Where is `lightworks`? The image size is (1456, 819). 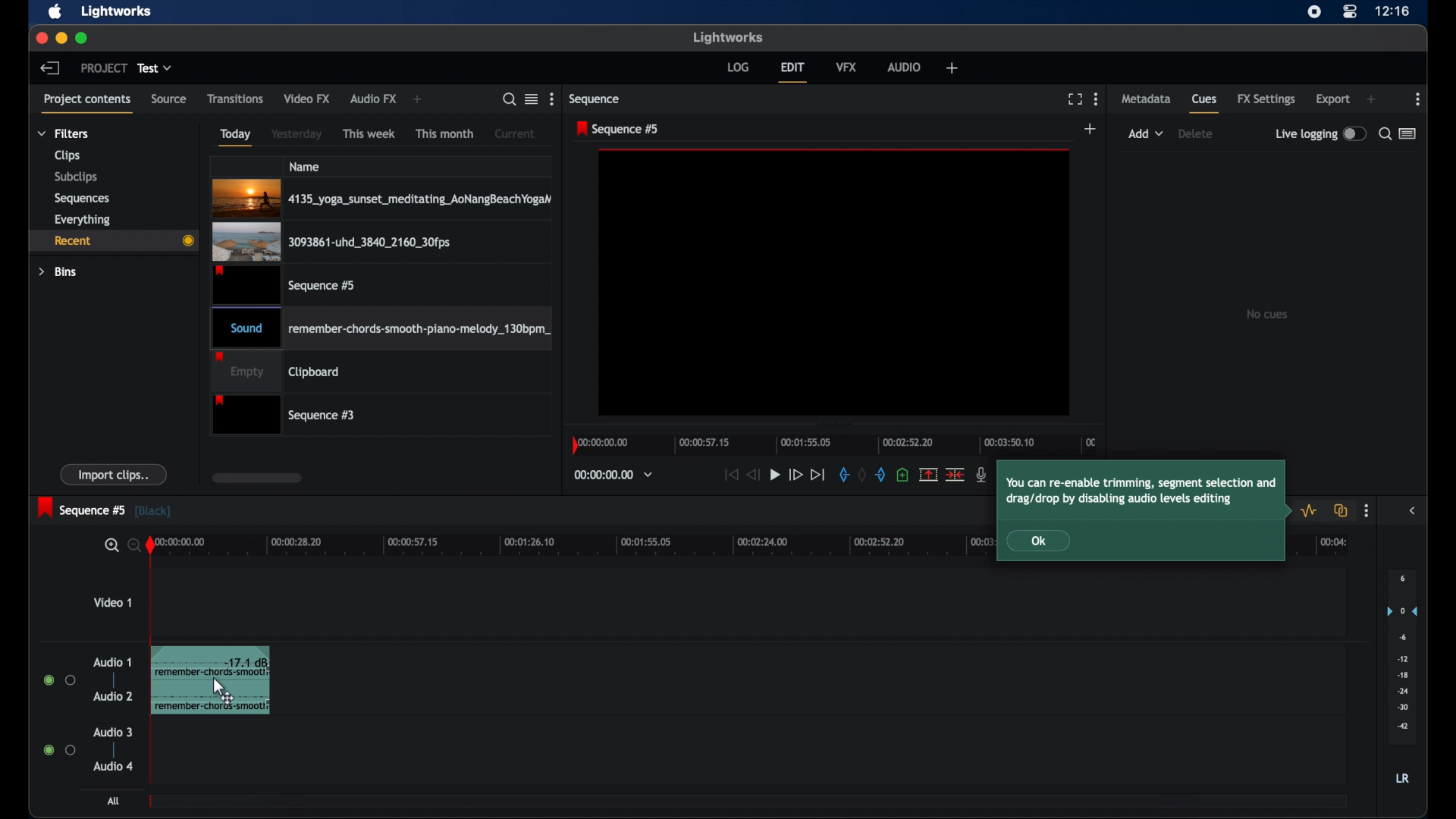 lightworks is located at coordinates (117, 11).